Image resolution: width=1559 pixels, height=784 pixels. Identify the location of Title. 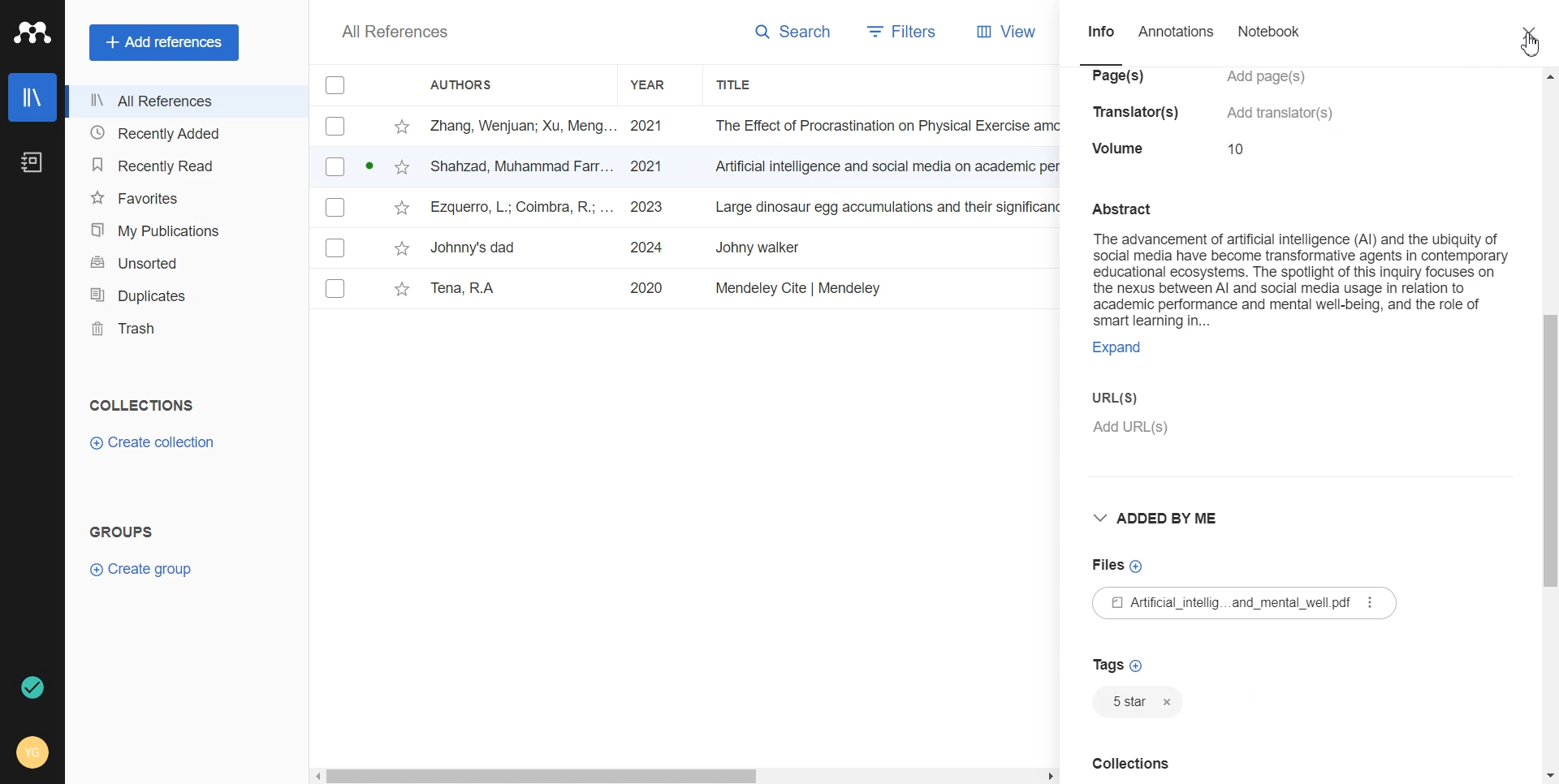
(752, 85).